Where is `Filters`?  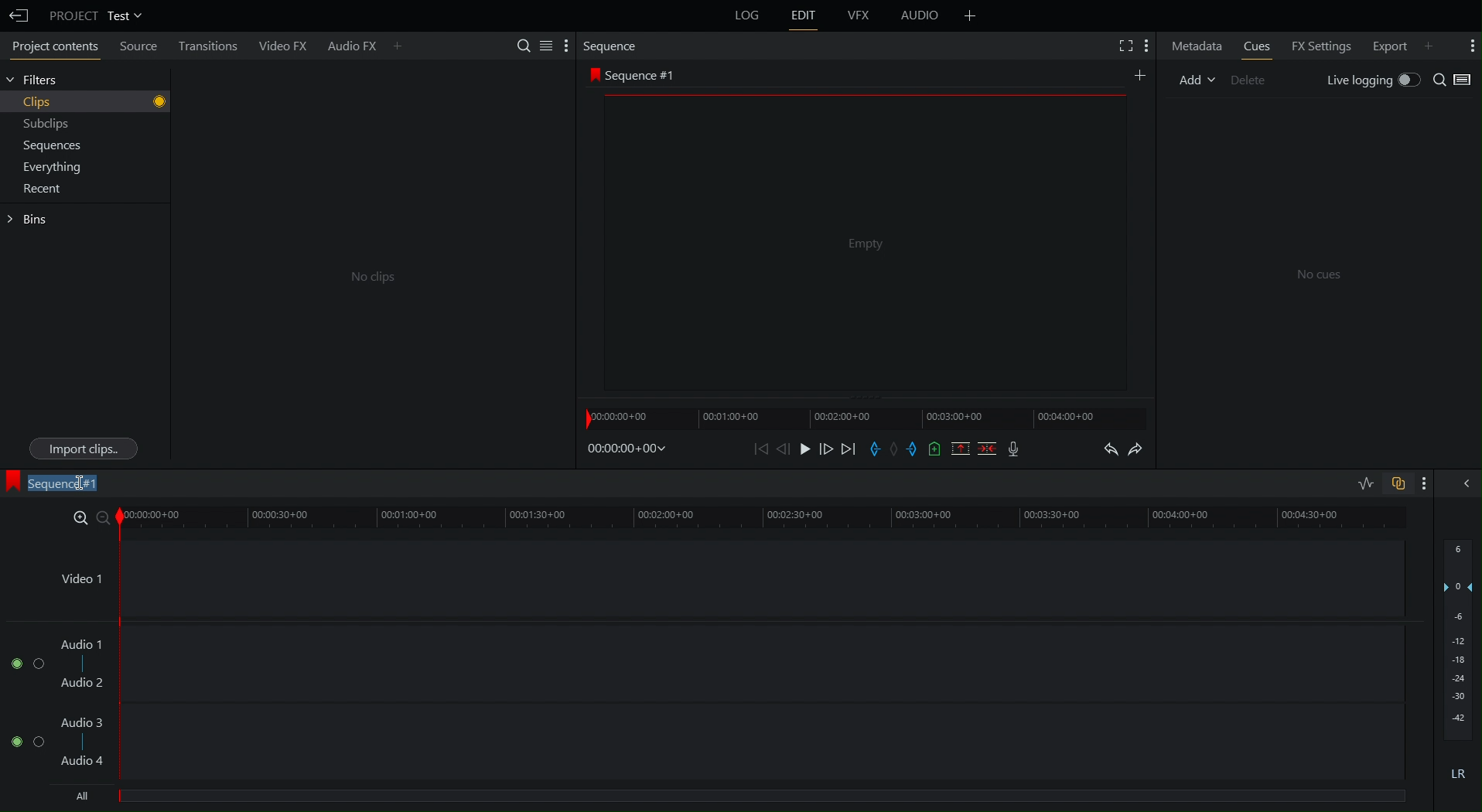
Filters is located at coordinates (38, 81).